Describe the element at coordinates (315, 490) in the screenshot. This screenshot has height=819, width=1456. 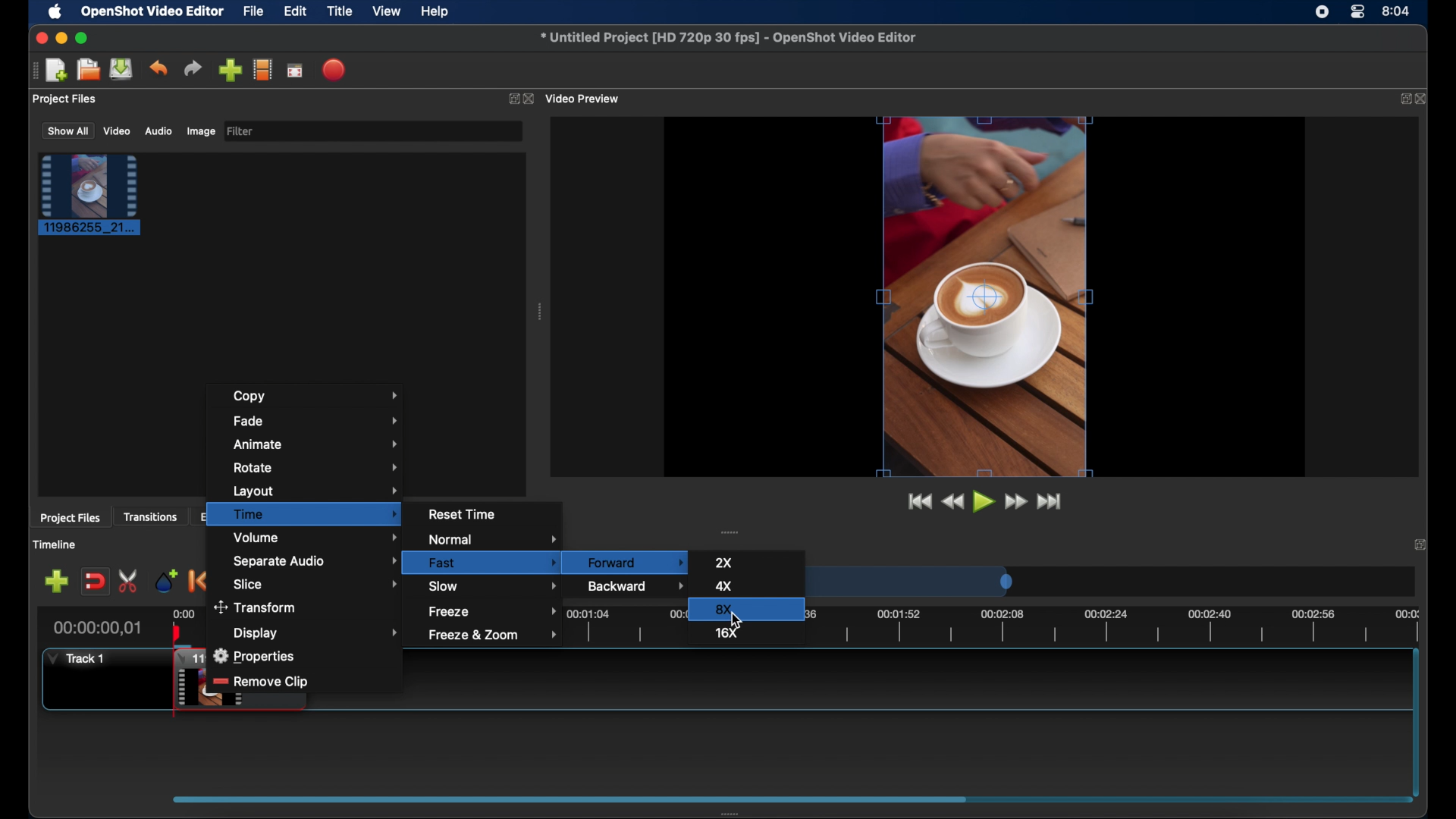
I see `layoutmenu` at that location.